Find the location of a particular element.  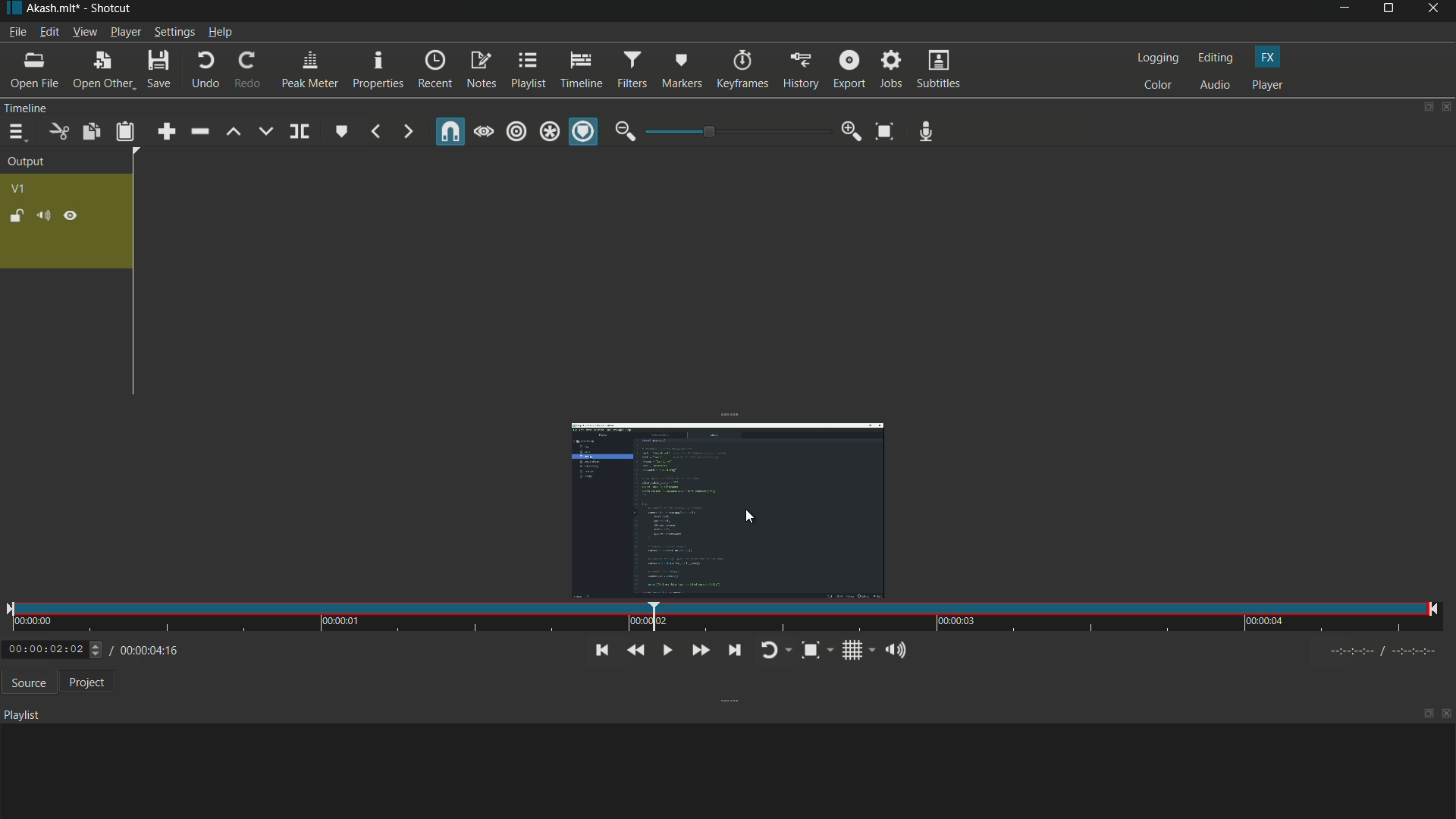

imported video is located at coordinates (731, 507).